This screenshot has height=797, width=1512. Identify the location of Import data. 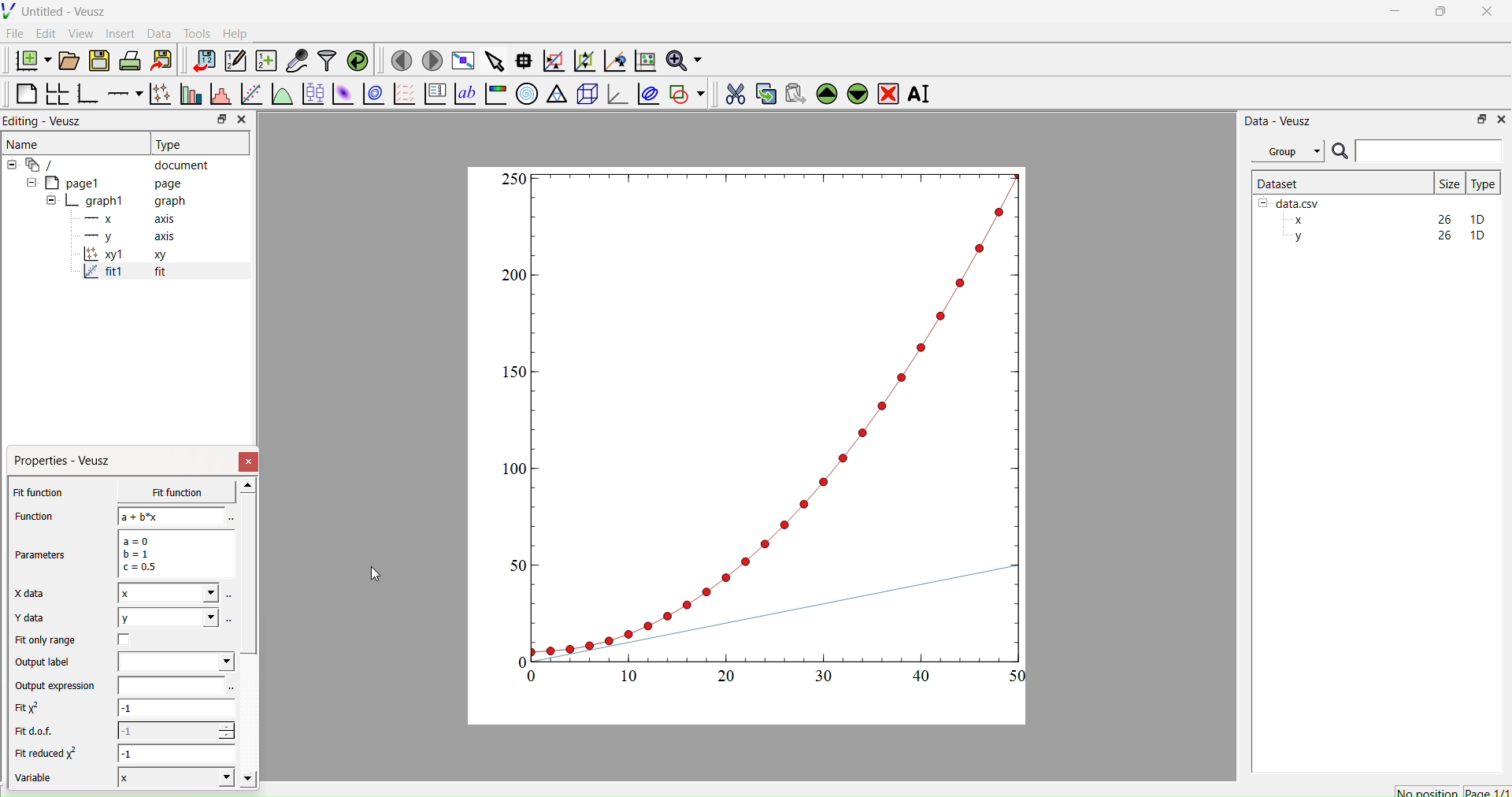
(200, 61).